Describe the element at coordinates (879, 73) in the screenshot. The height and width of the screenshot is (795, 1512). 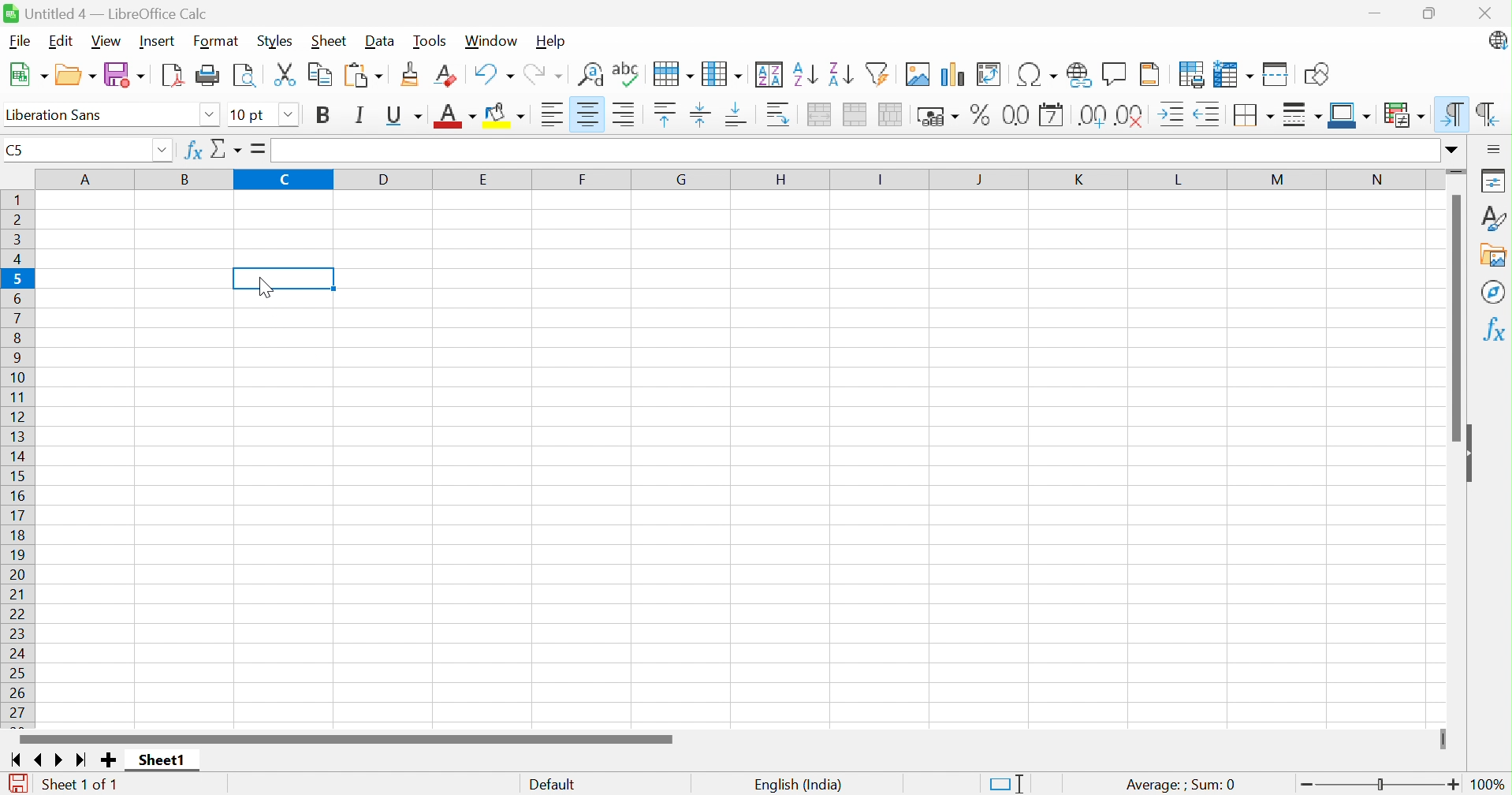
I see `AutoFilter` at that location.